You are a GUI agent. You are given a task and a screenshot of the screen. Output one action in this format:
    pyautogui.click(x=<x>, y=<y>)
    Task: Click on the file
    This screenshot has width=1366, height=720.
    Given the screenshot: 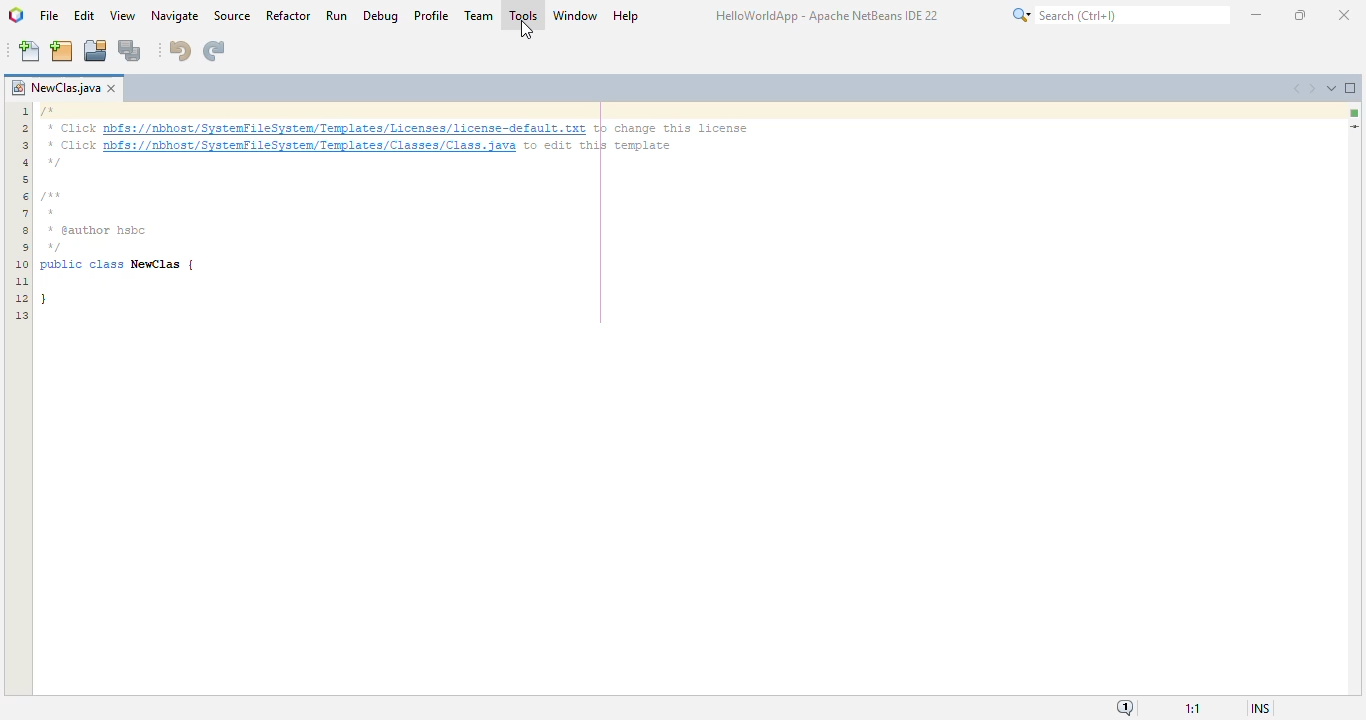 What is the action you would take?
    pyautogui.click(x=50, y=16)
    